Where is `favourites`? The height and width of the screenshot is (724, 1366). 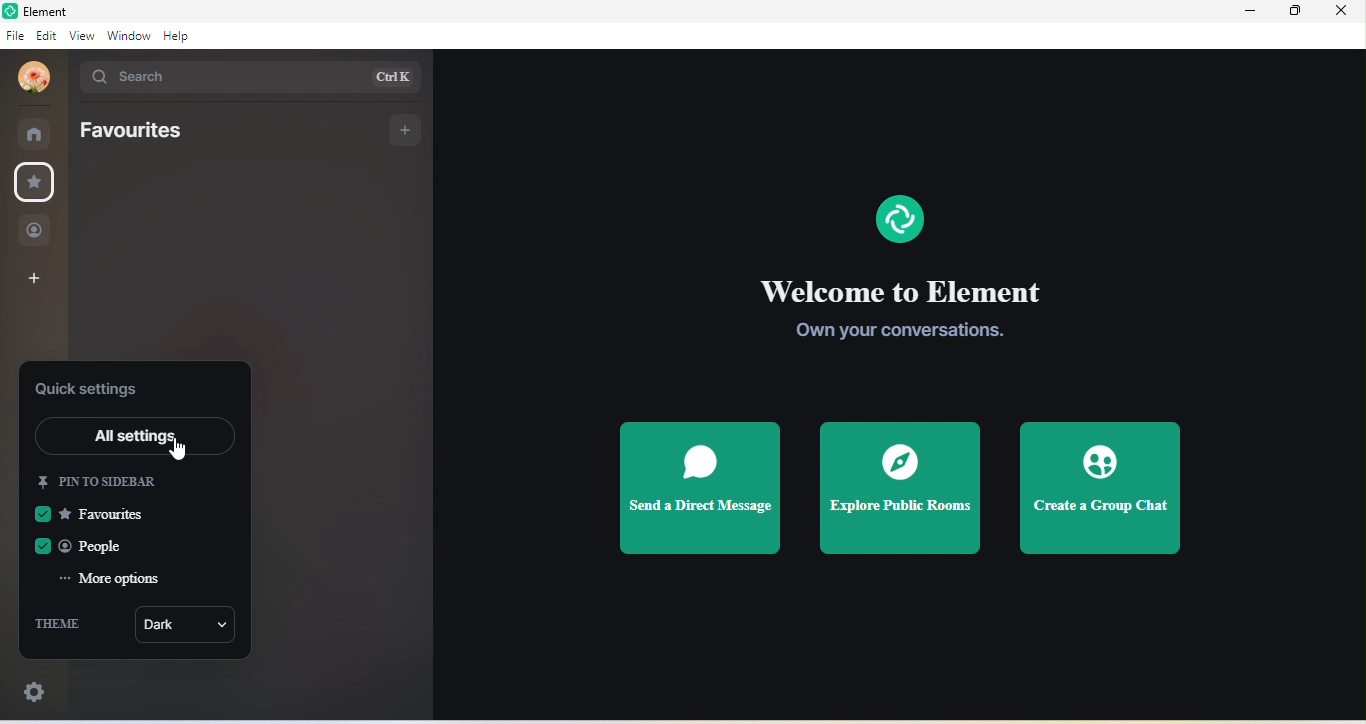
favourites is located at coordinates (37, 183).